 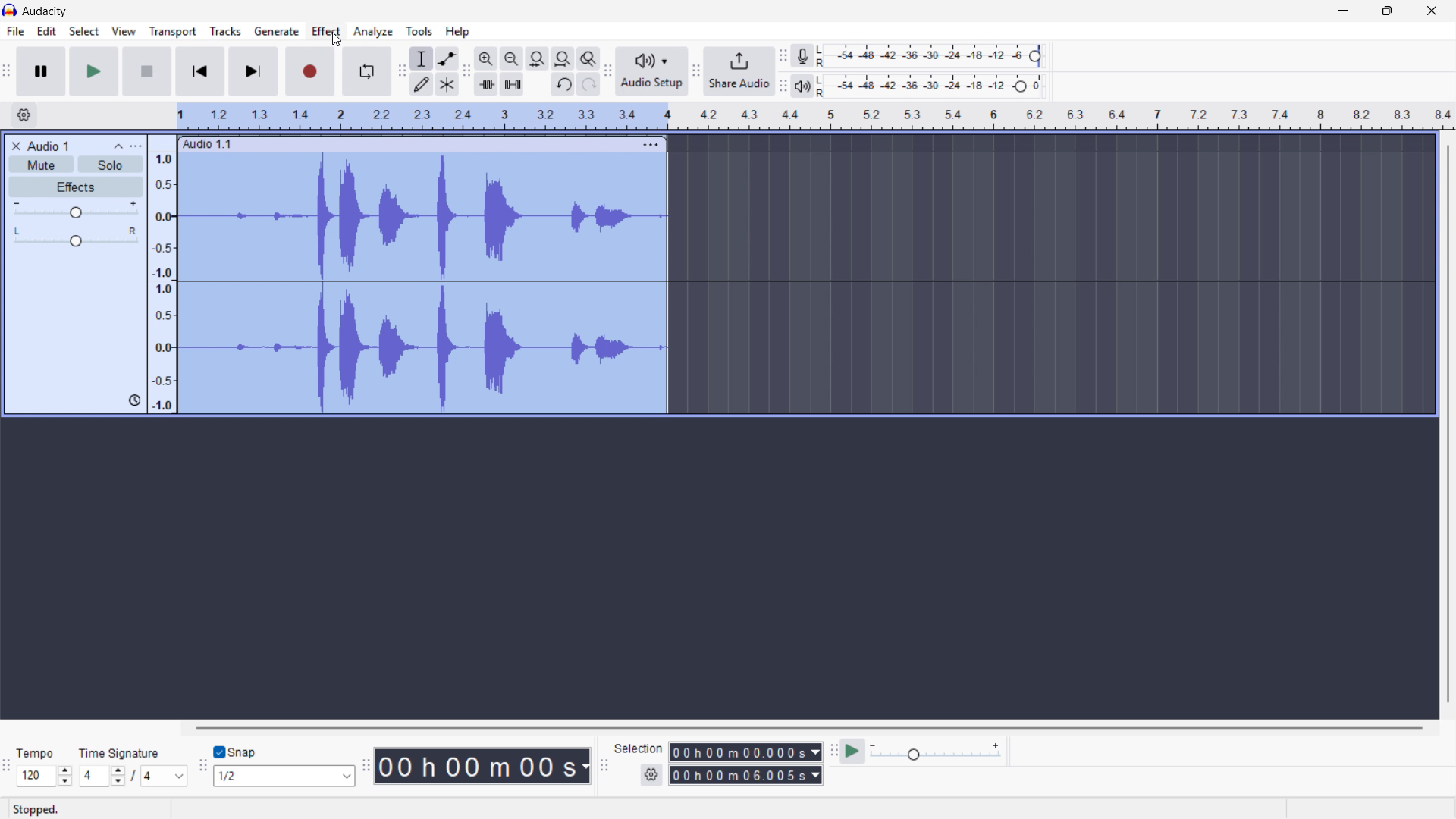 I want to click on Analyse, so click(x=372, y=31).